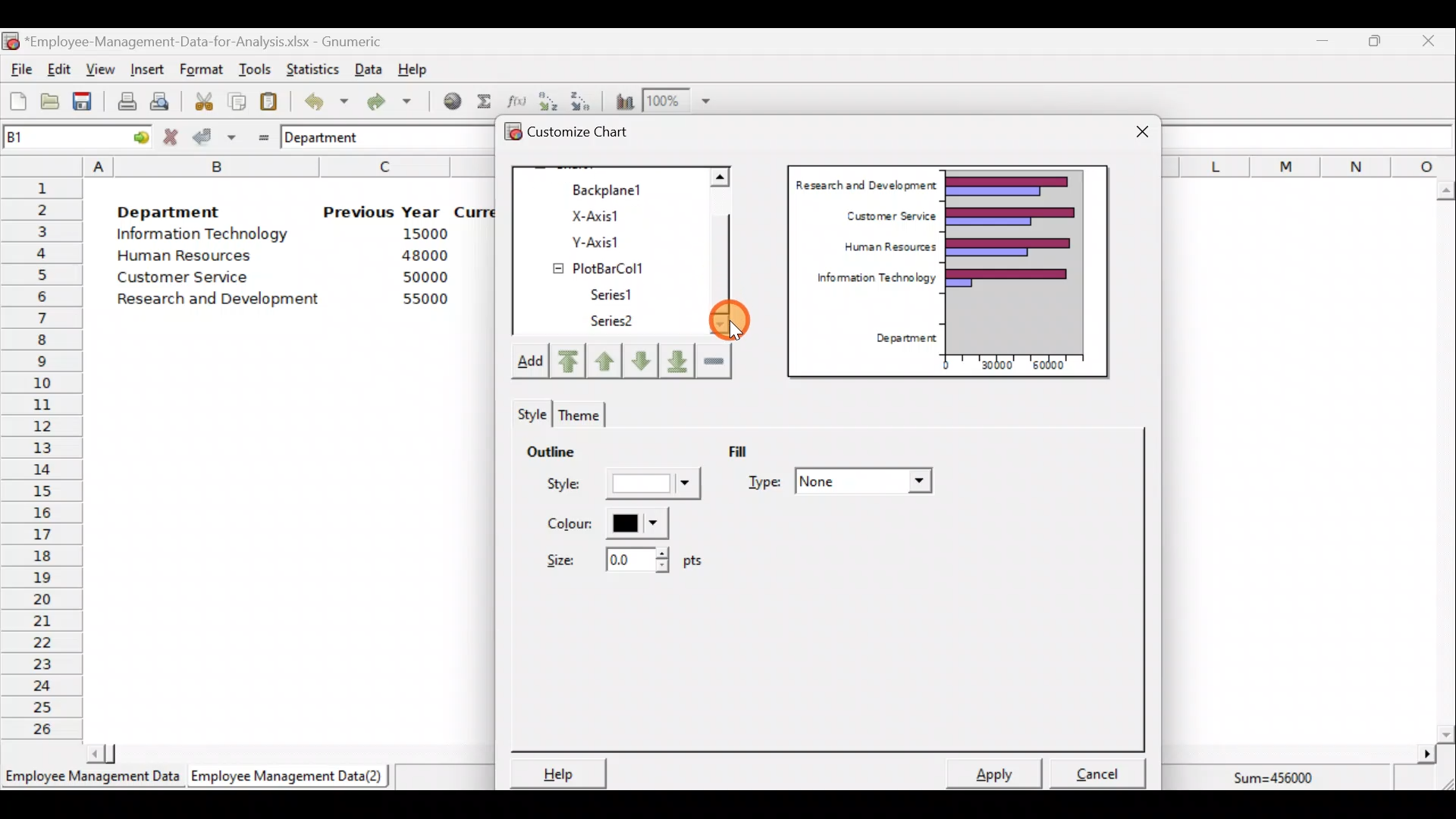  I want to click on Style, so click(529, 411).